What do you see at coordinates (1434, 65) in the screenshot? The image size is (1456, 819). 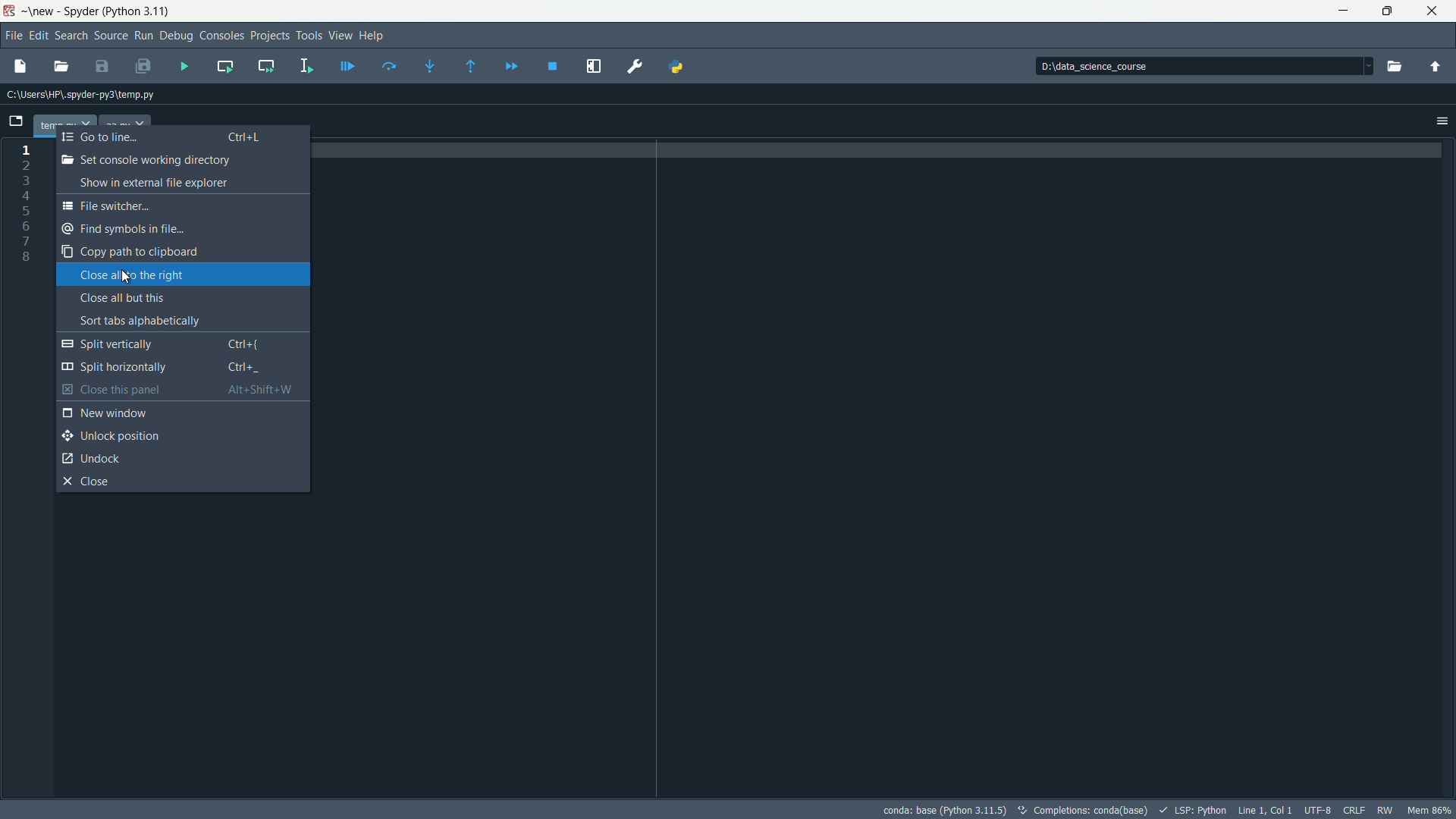 I see `chnage to parent directory` at bounding box center [1434, 65].